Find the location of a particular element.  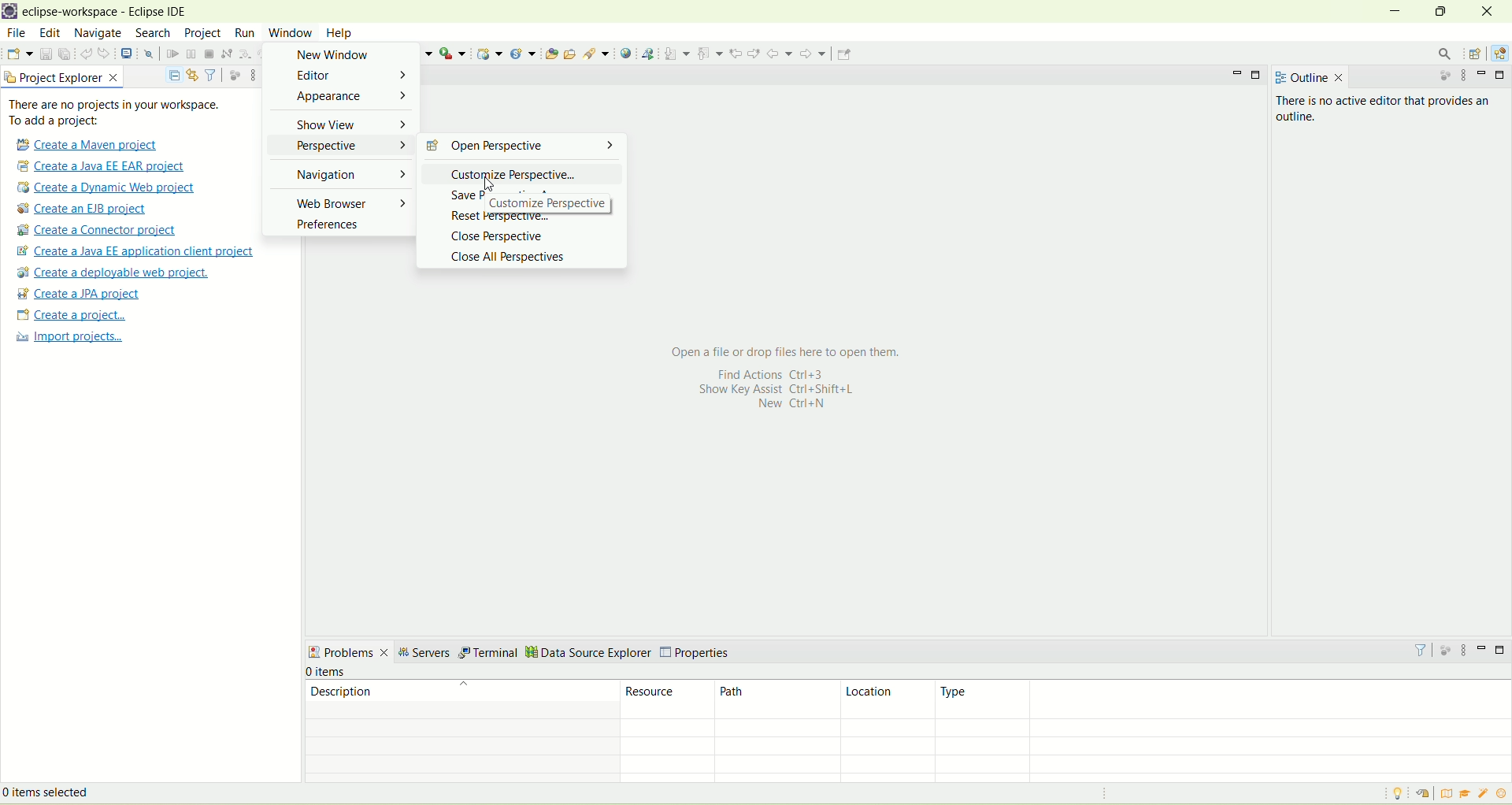

step into is located at coordinates (246, 56).